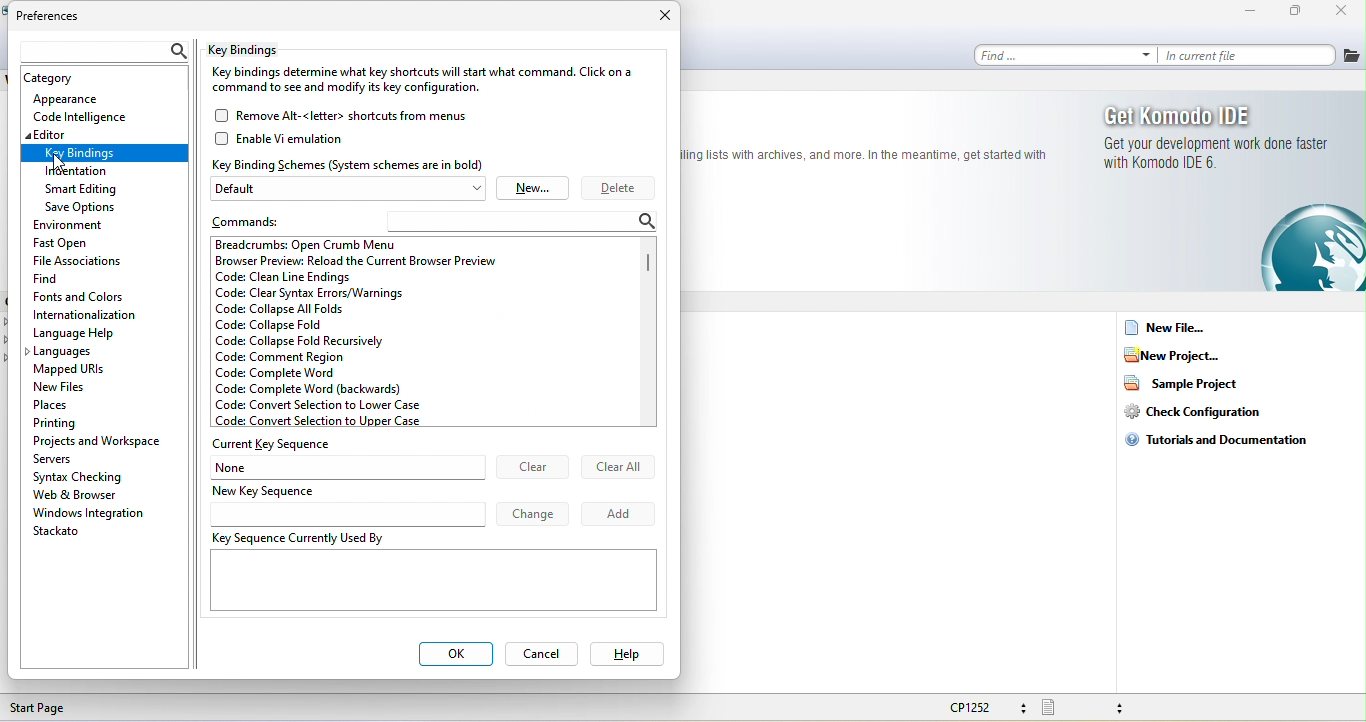  Describe the element at coordinates (67, 242) in the screenshot. I see `fast open` at that location.